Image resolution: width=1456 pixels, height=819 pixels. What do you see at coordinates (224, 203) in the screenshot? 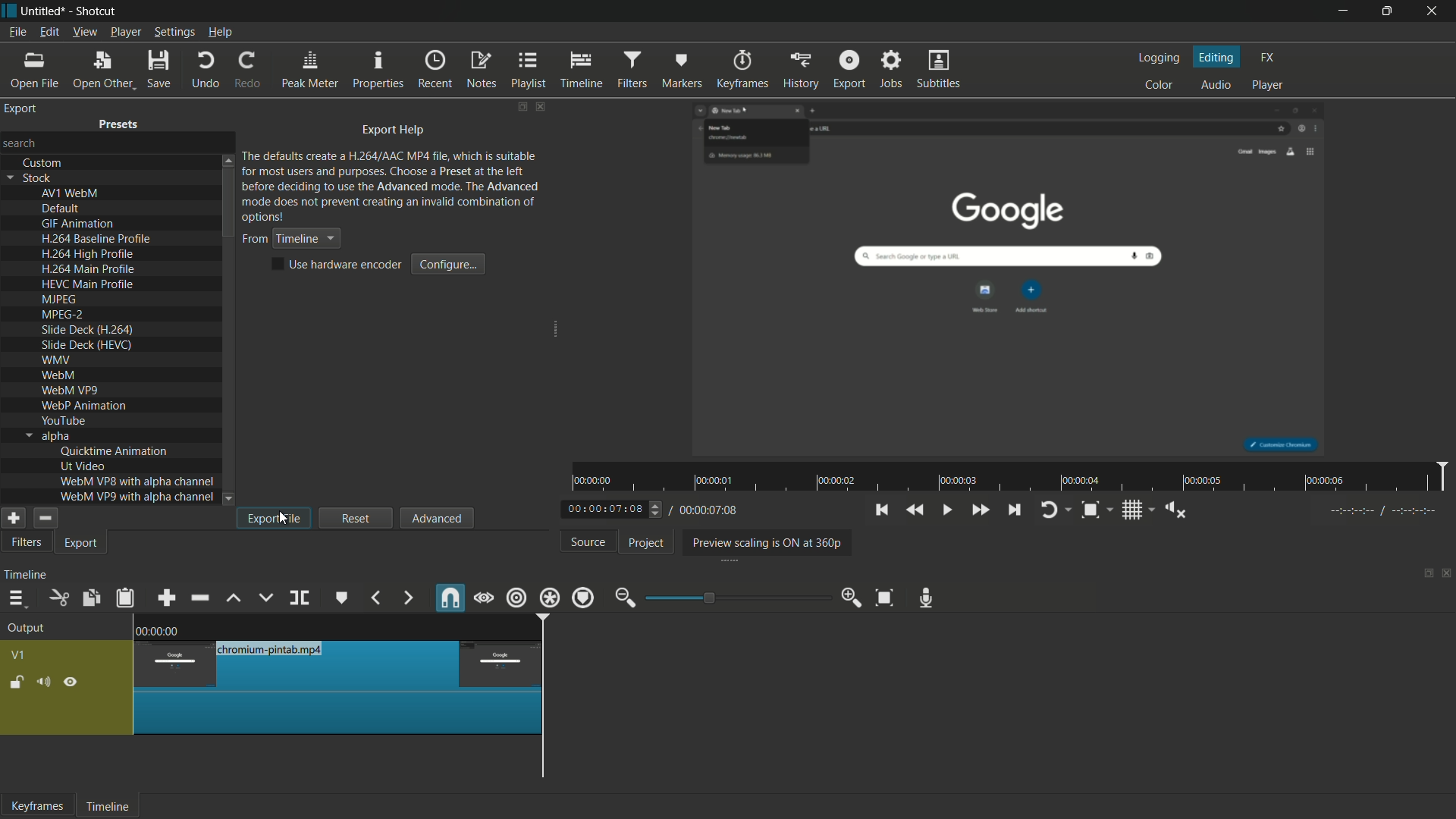
I see `scroll bar` at bounding box center [224, 203].